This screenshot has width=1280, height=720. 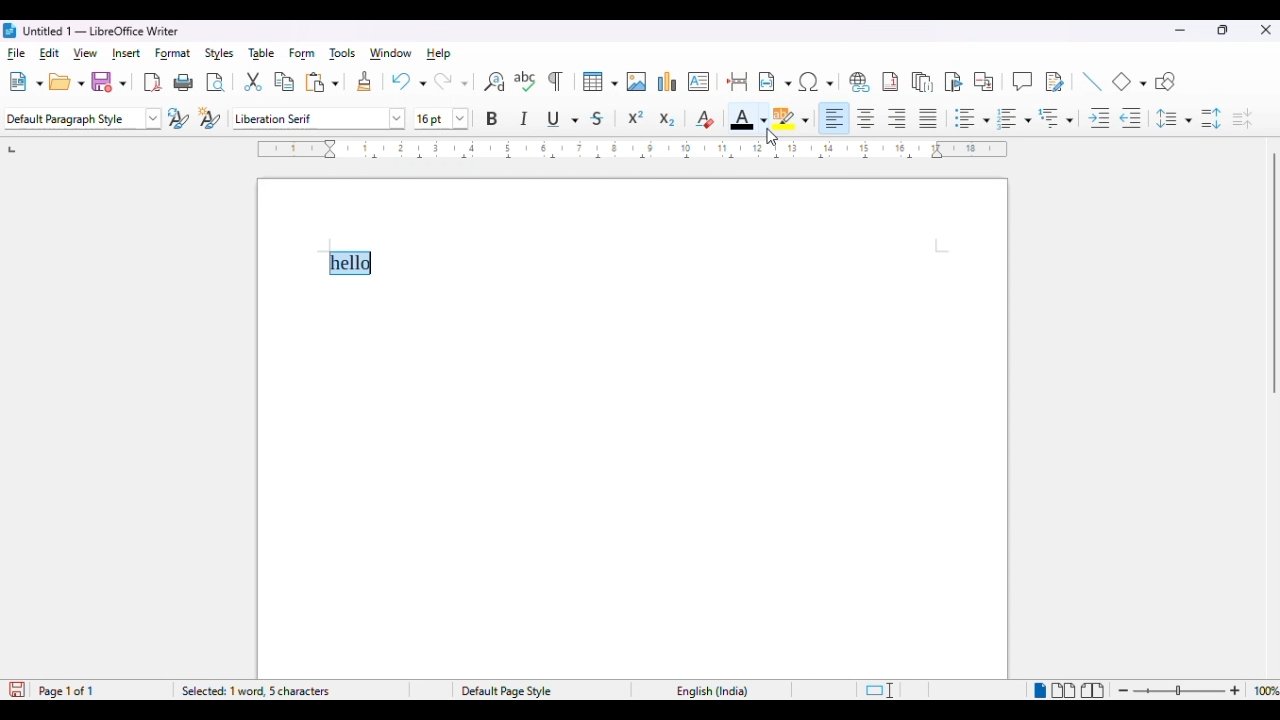 I want to click on superscript, so click(x=636, y=117).